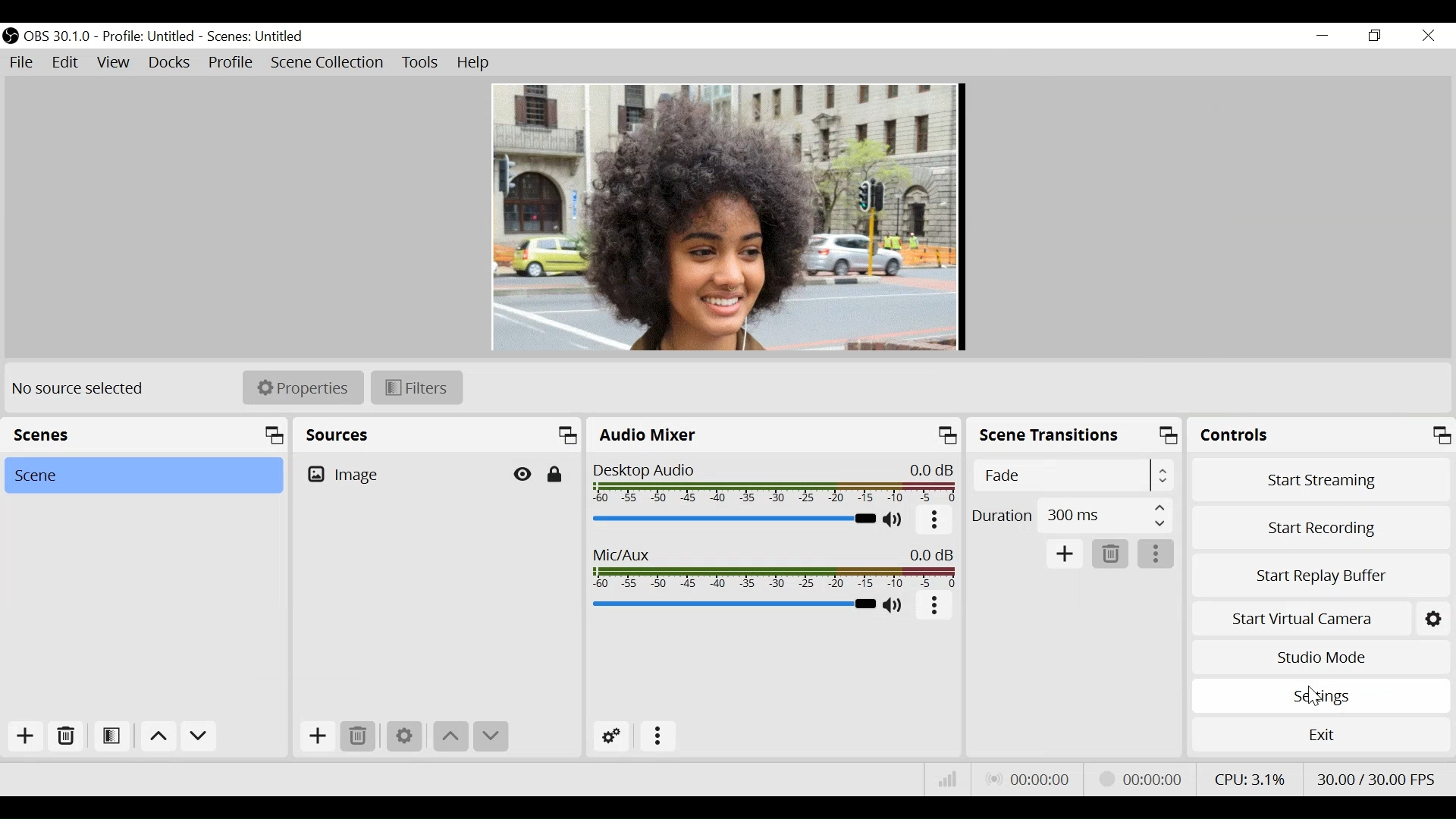 The image size is (1456, 819). Describe the element at coordinates (1321, 695) in the screenshot. I see `Settings` at that location.